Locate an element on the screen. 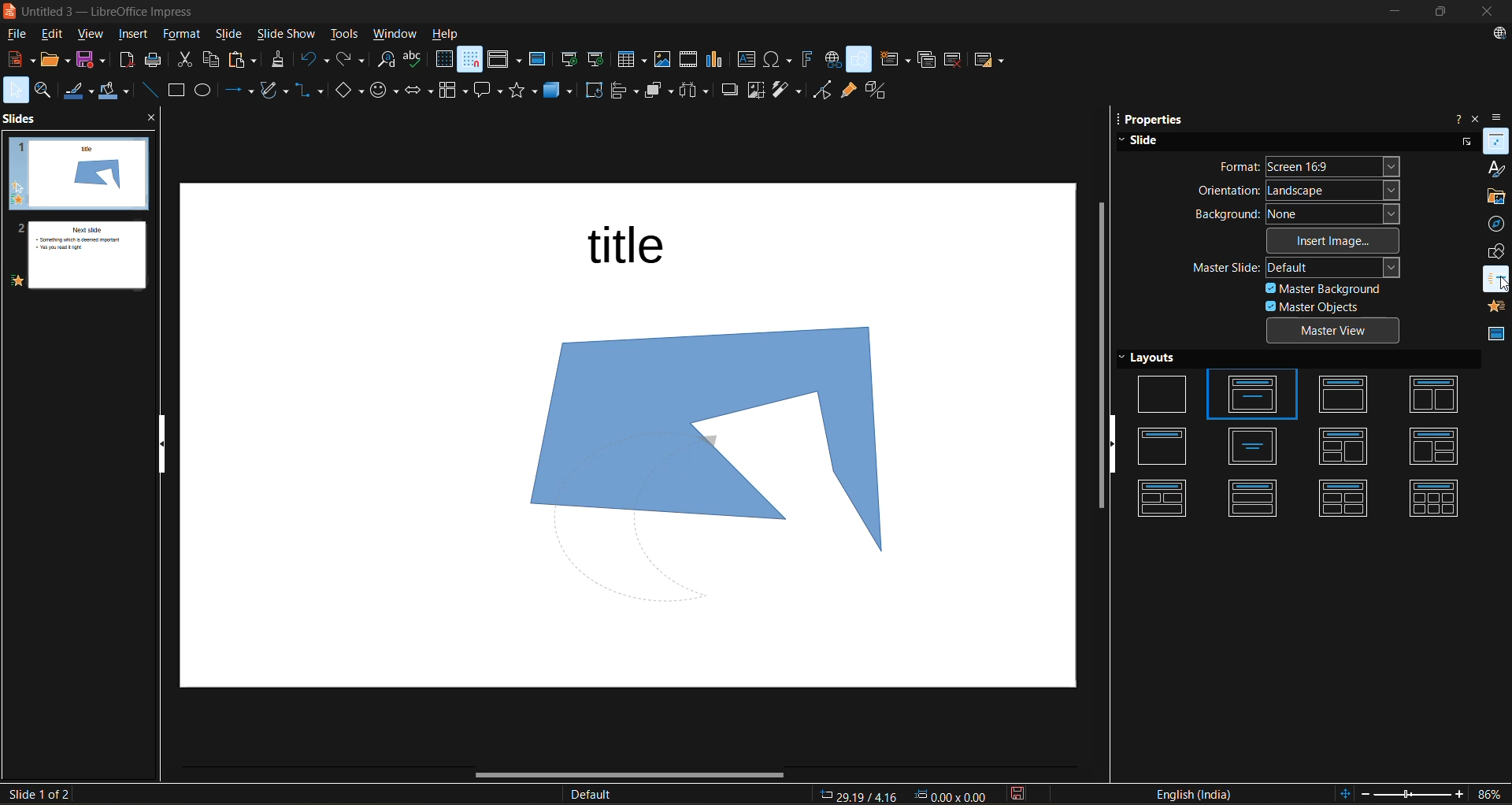  find and replace is located at coordinates (386, 60).